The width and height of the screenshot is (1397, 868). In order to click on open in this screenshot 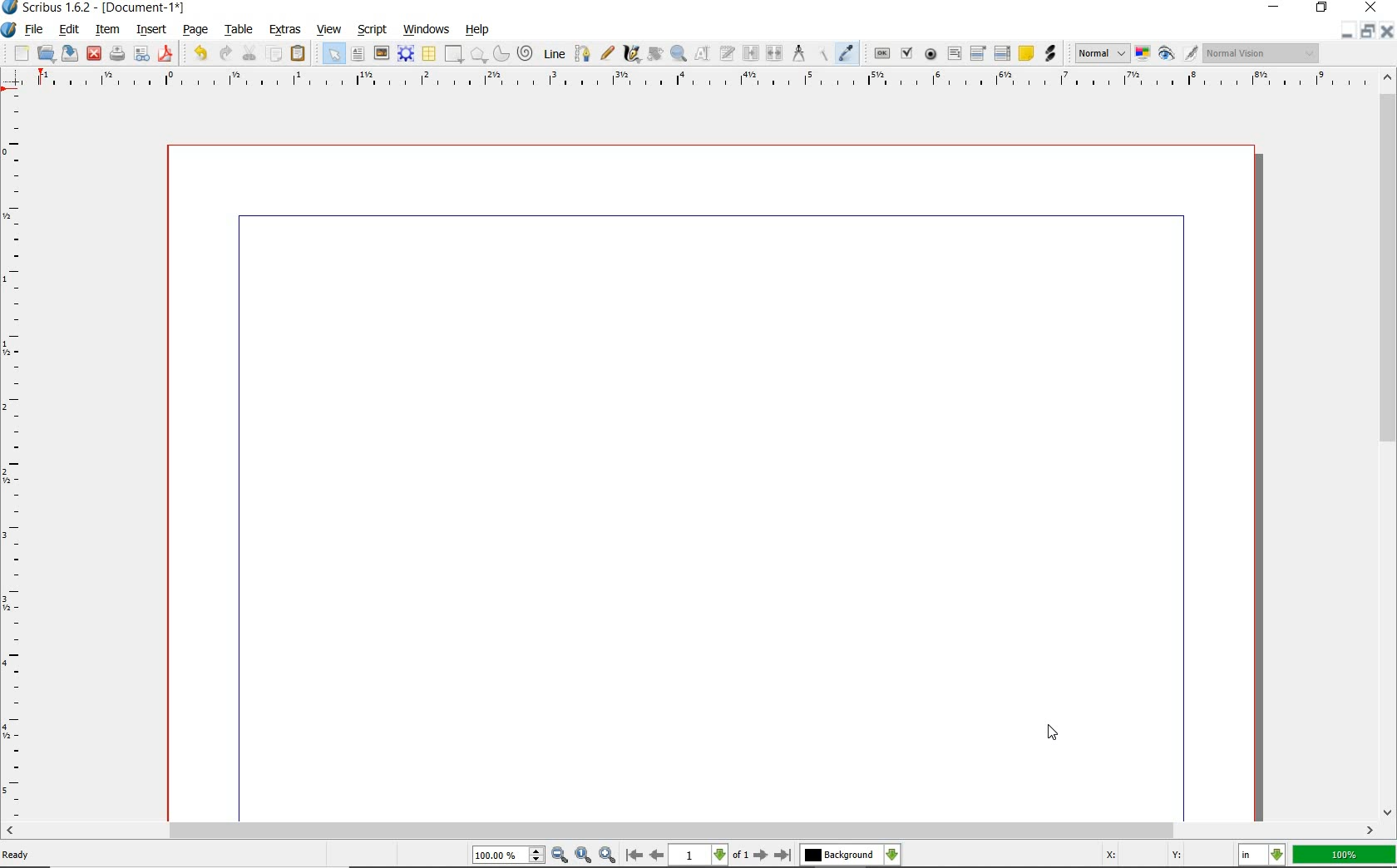, I will do `click(46, 52)`.